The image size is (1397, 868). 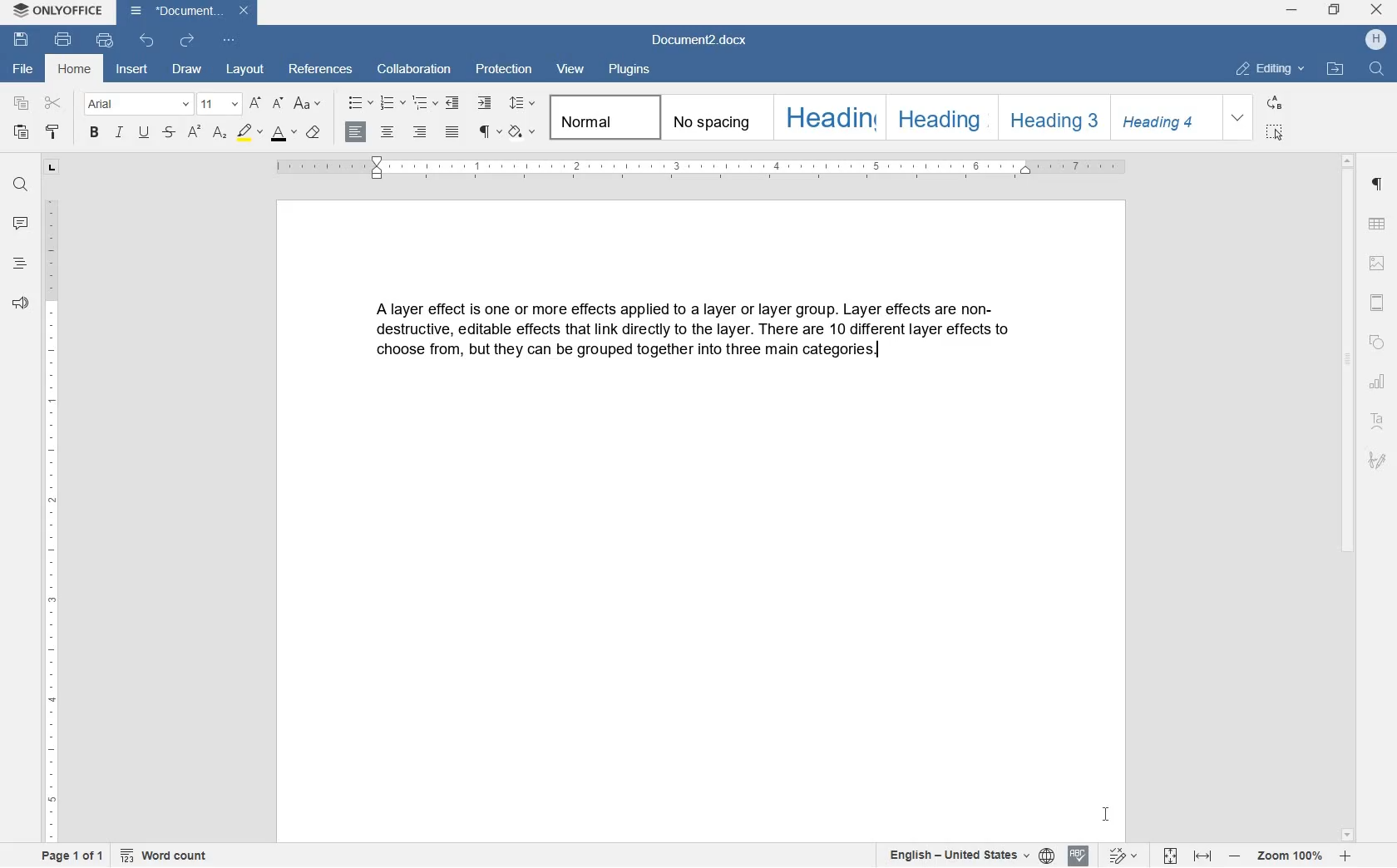 What do you see at coordinates (187, 42) in the screenshot?
I see `REDO` at bounding box center [187, 42].